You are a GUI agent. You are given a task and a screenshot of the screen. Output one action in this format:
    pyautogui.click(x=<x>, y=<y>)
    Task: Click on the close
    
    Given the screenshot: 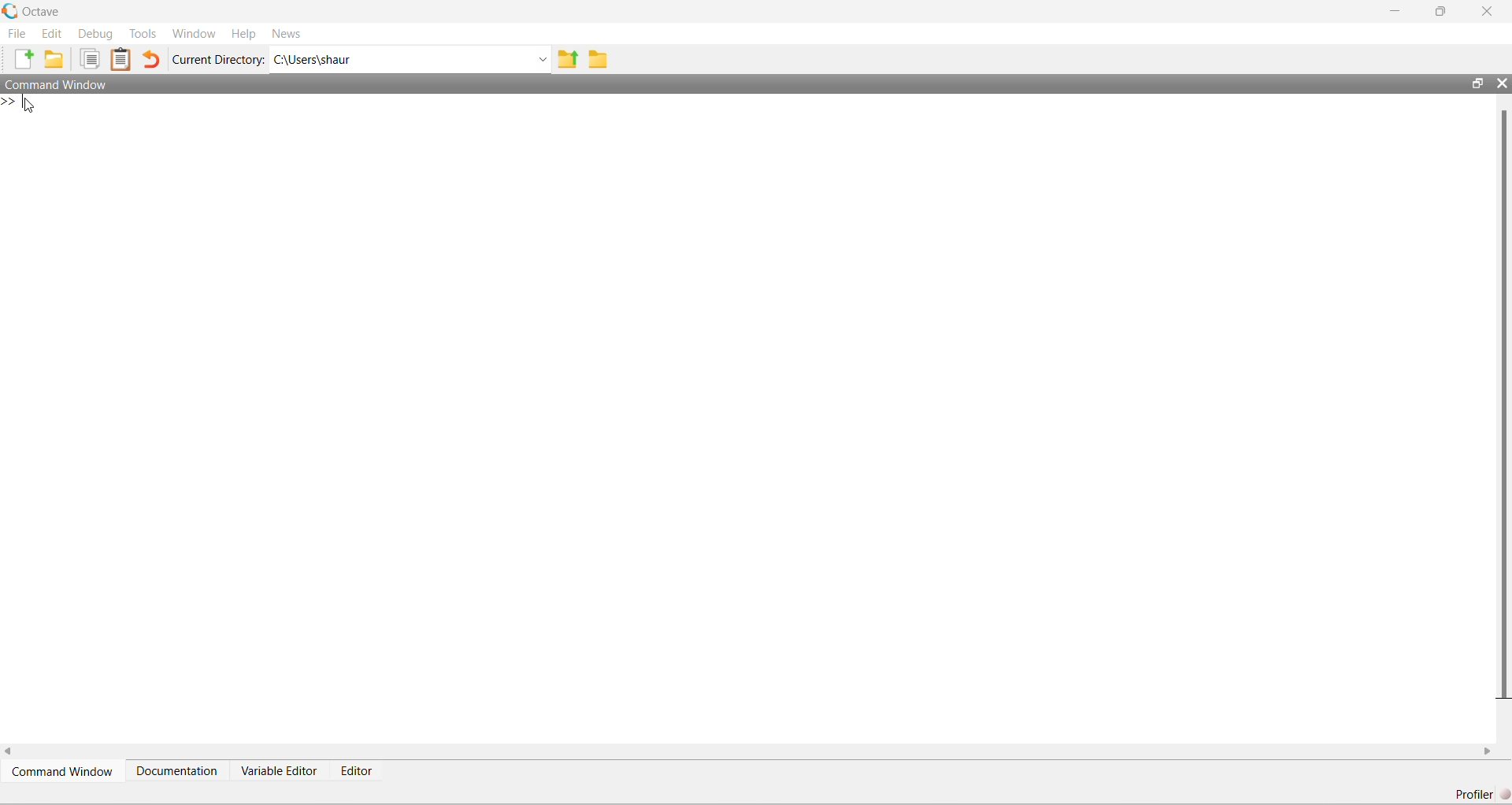 What is the action you would take?
    pyautogui.click(x=1501, y=83)
    